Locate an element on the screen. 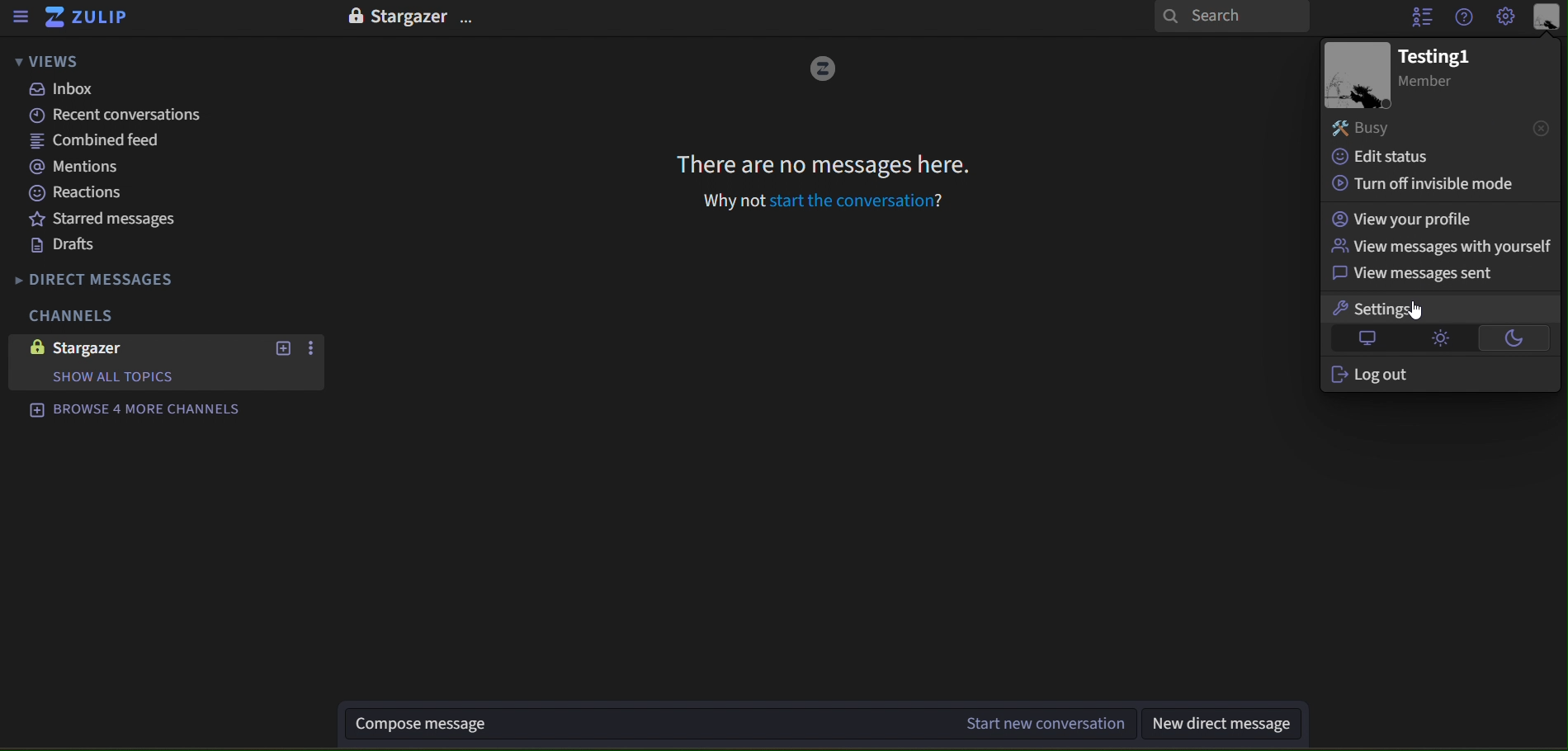  turn off invisible mode is located at coordinates (1417, 183).